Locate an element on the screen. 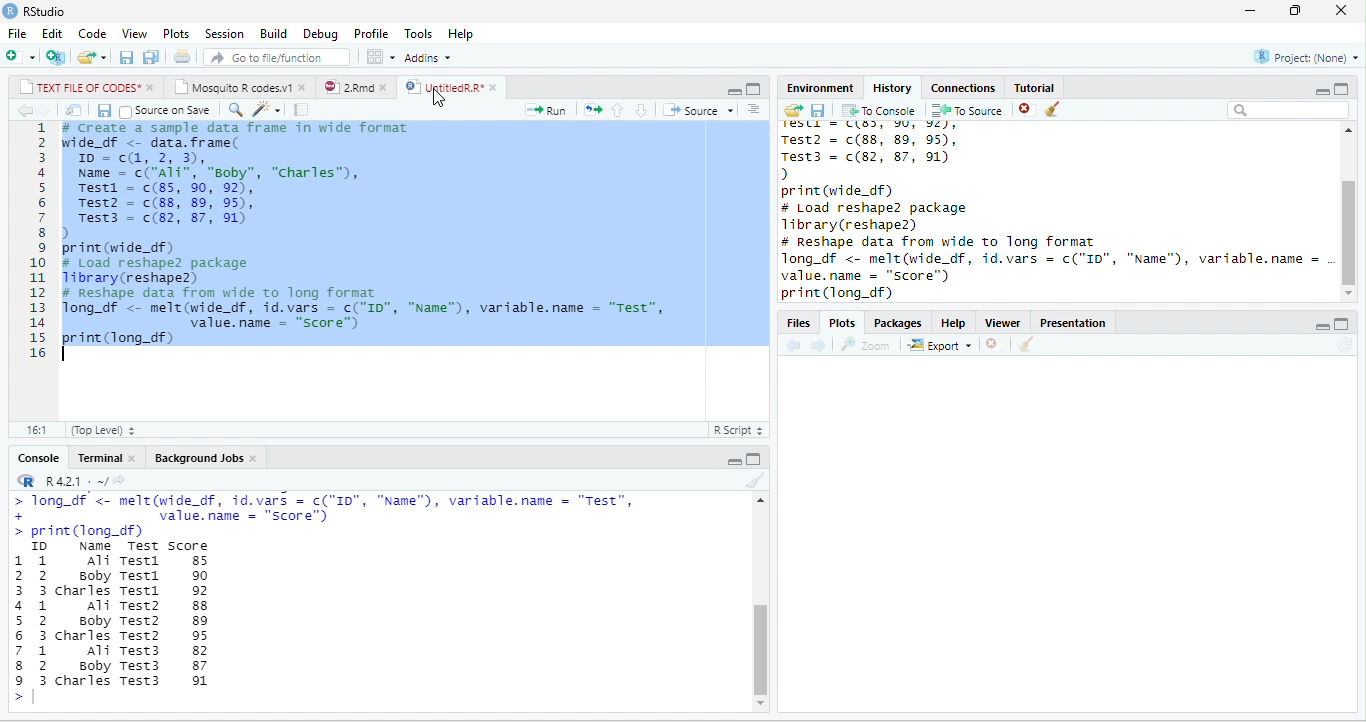 The image size is (1366, 722). resize is located at coordinates (1295, 11).